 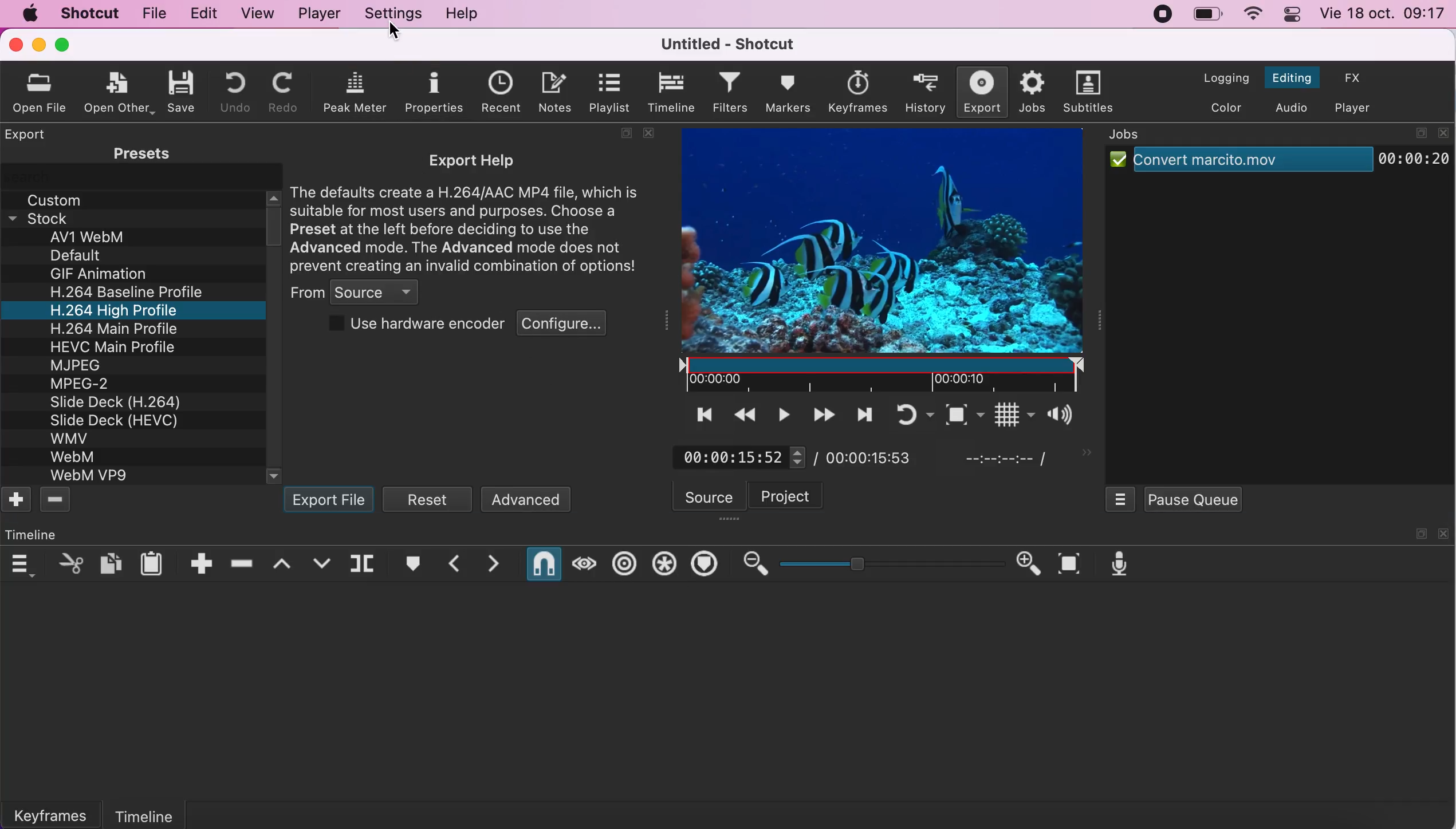 I want to click on jobs, so click(x=1030, y=92).